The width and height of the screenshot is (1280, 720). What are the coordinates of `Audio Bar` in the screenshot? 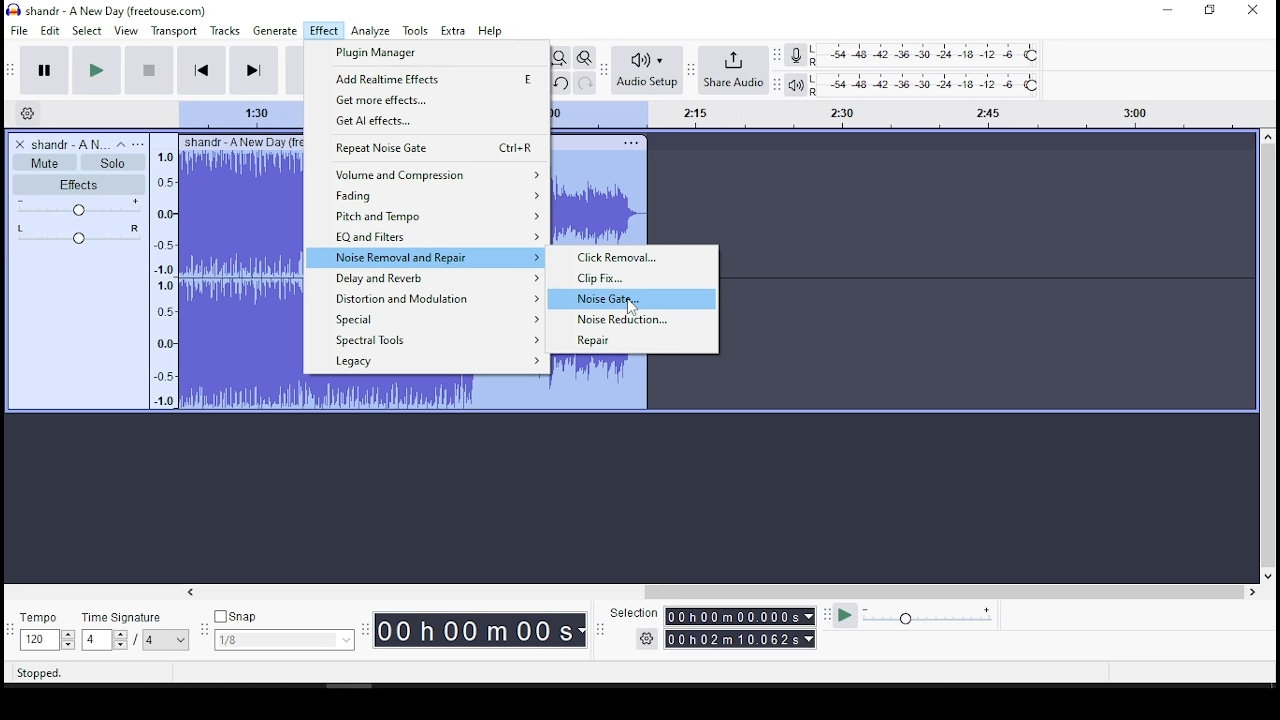 It's located at (796, 83).